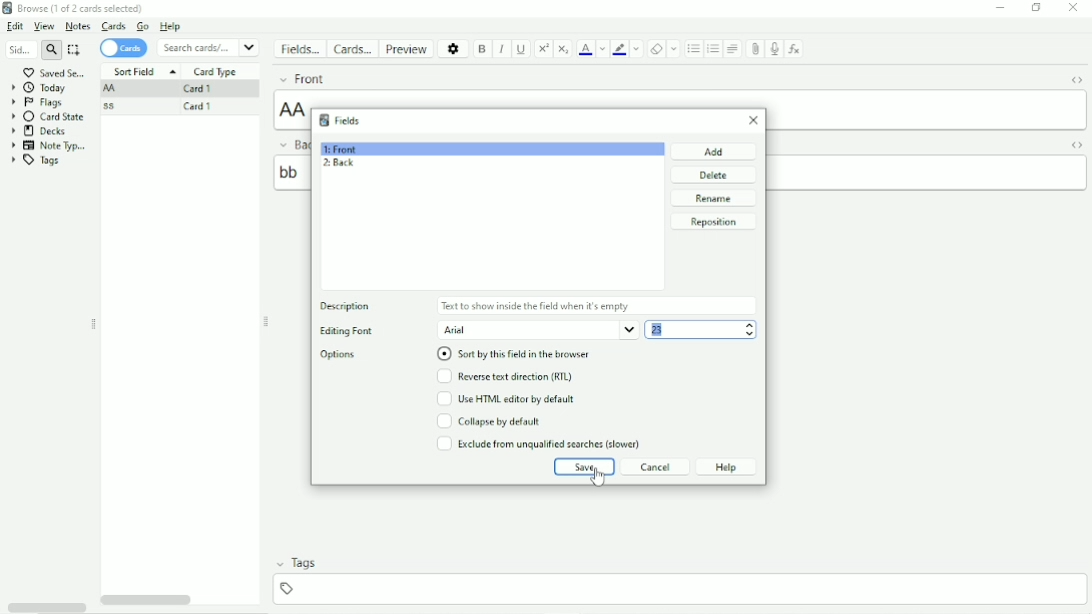 The image size is (1092, 614). Describe the element at coordinates (716, 199) in the screenshot. I see `Rename` at that location.